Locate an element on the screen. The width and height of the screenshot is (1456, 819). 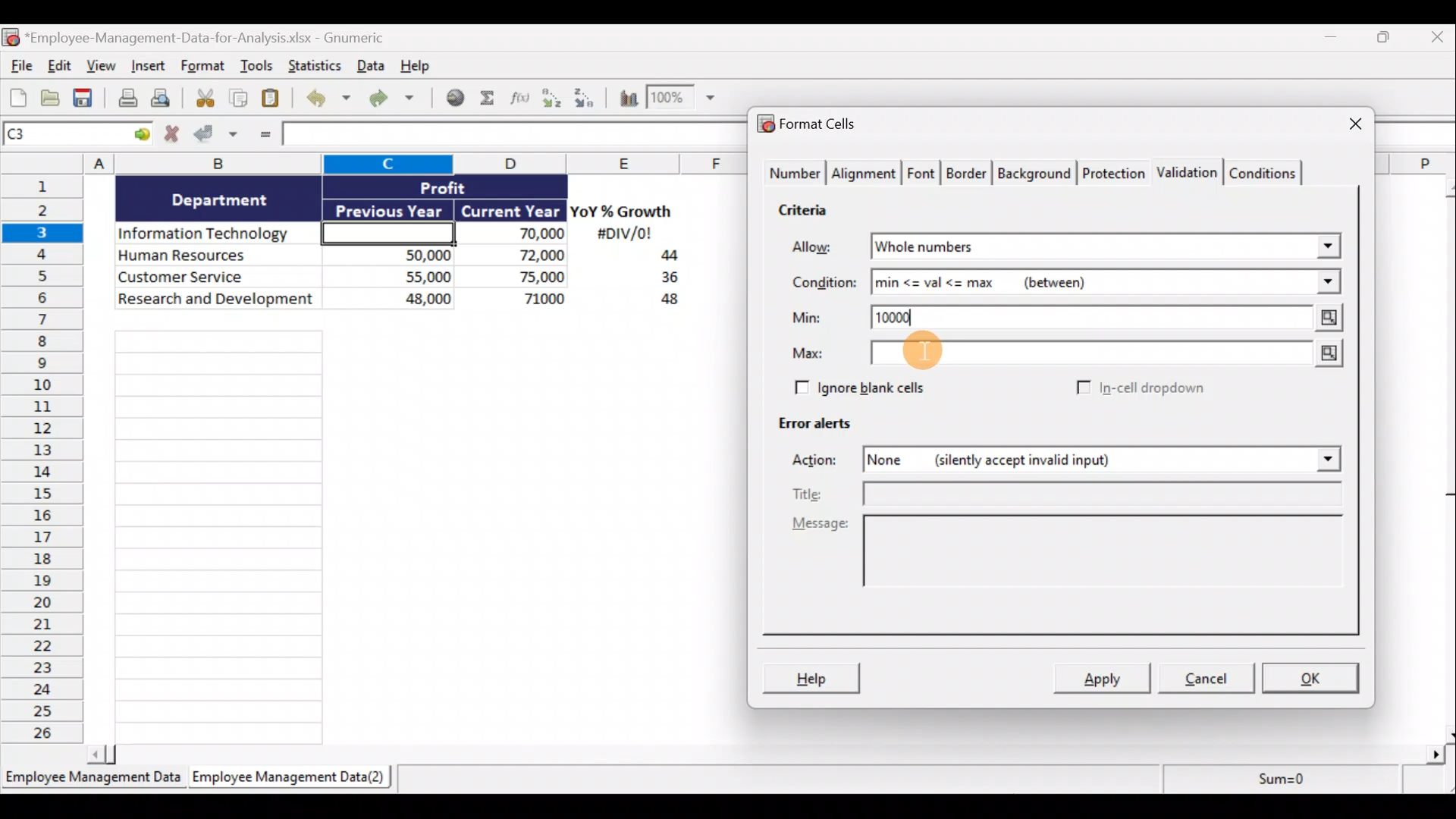
Paste clipboard is located at coordinates (275, 99).